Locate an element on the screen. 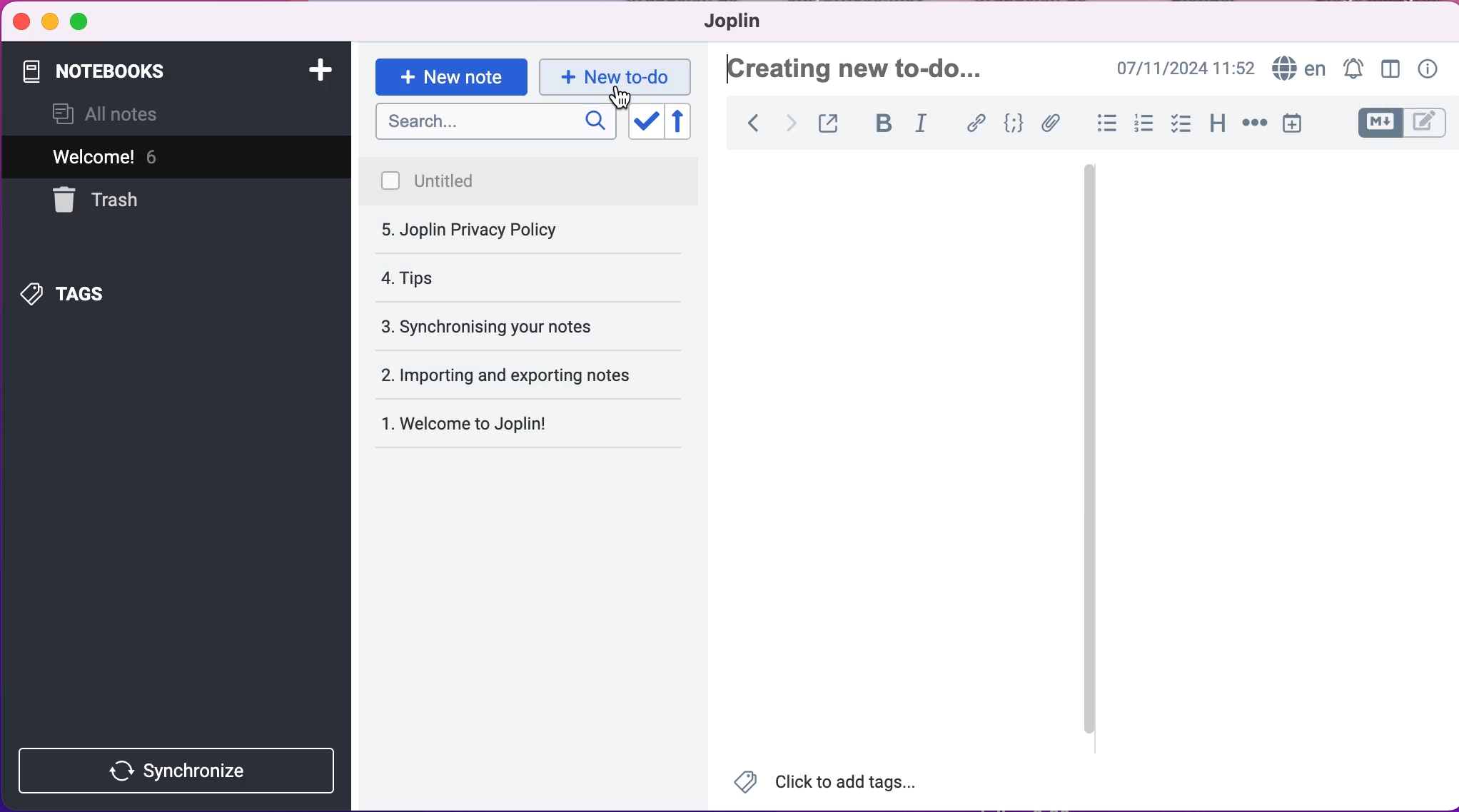 The image size is (1459, 812). 07/11/2024 09:03 is located at coordinates (1183, 66).